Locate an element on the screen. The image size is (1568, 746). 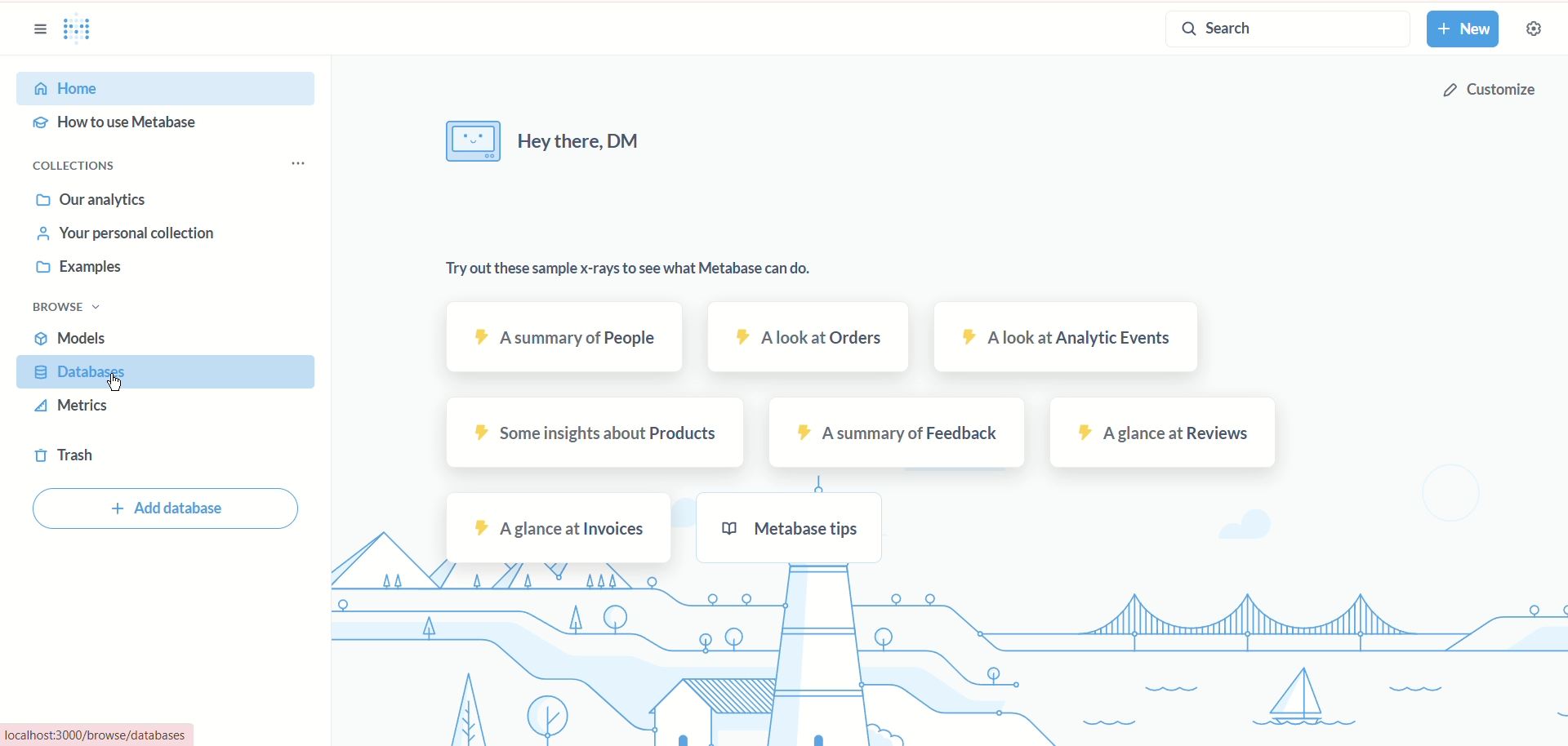
your personal collection is located at coordinates (127, 234).